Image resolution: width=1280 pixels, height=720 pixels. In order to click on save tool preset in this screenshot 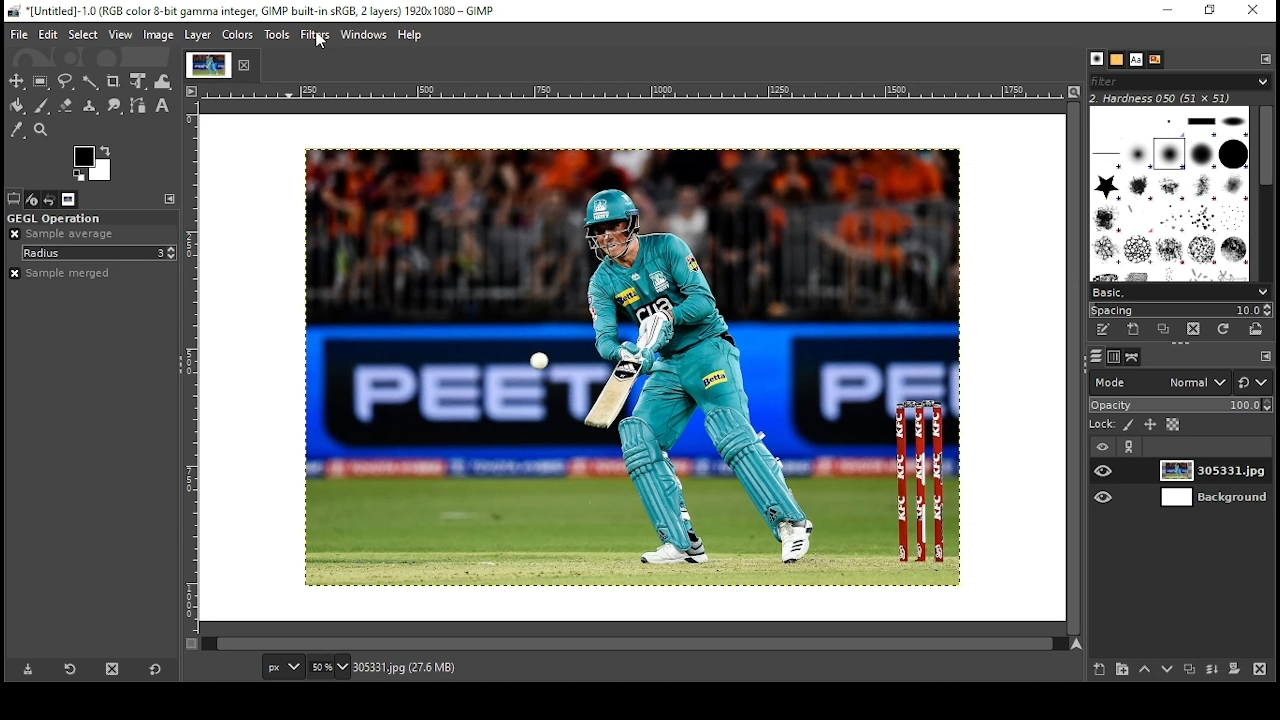, I will do `click(29, 669)`.